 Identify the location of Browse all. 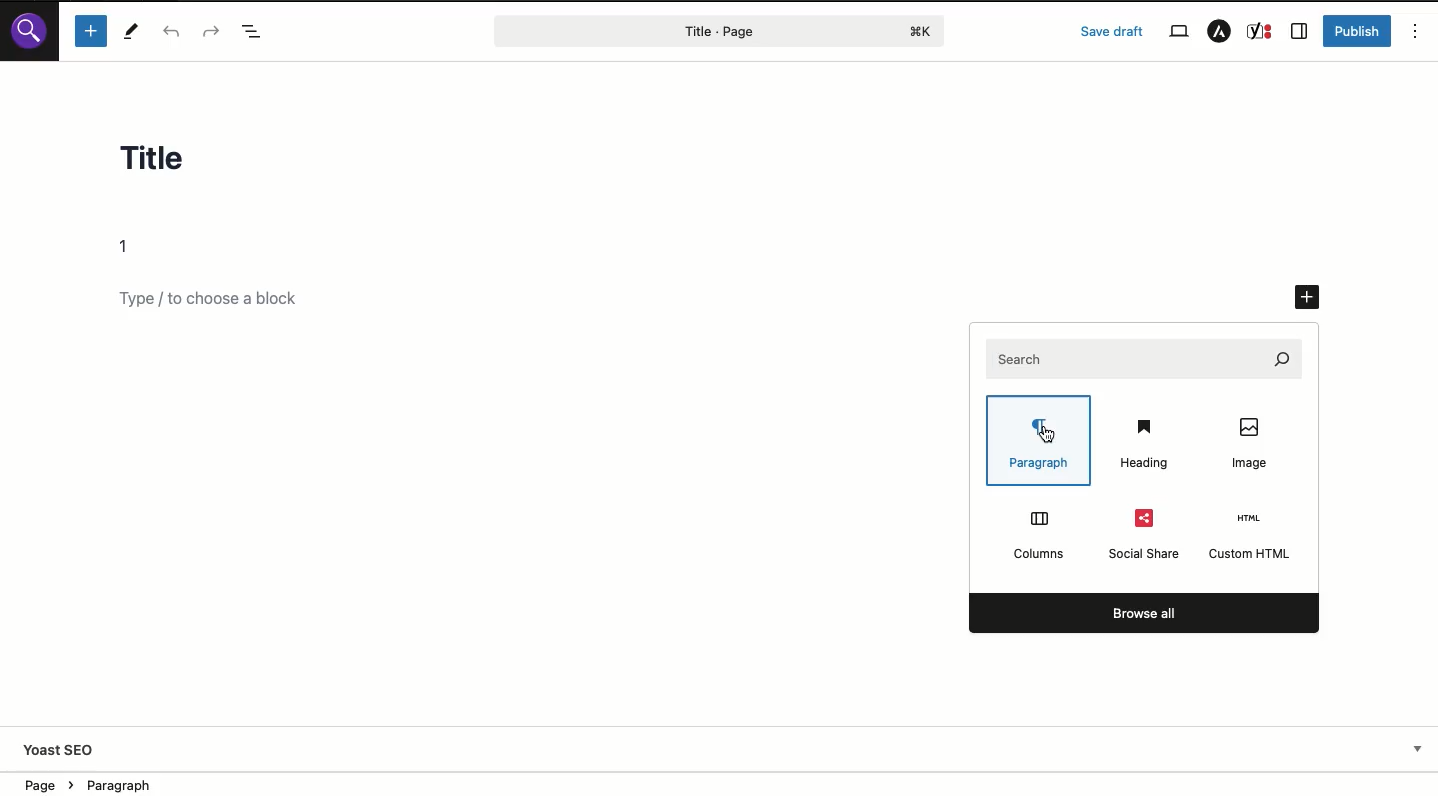
(1143, 614).